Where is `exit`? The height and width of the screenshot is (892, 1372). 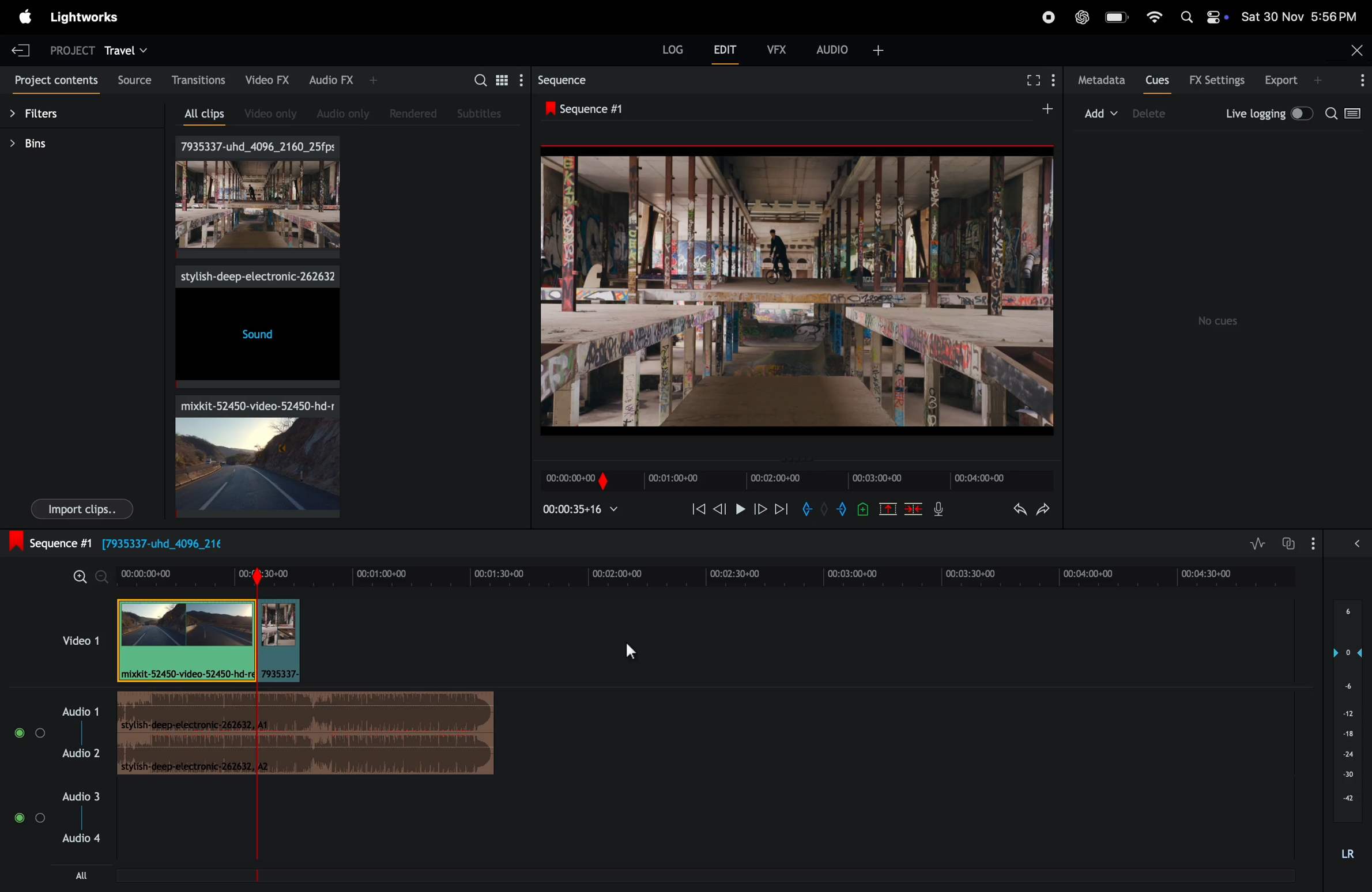 exit is located at coordinates (21, 50).